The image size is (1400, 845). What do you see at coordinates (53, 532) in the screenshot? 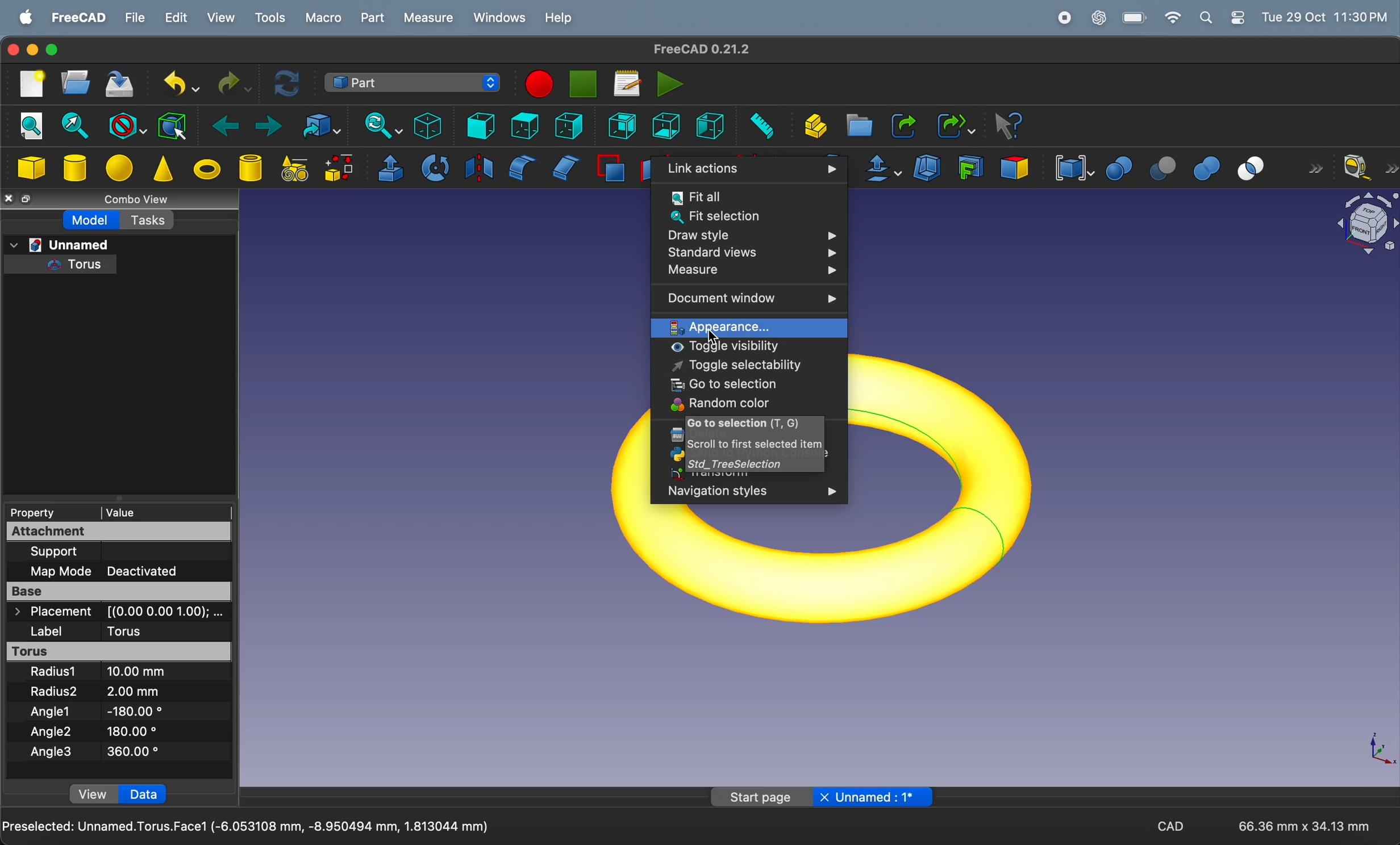
I see `attachment` at bounding box center [53, 532].